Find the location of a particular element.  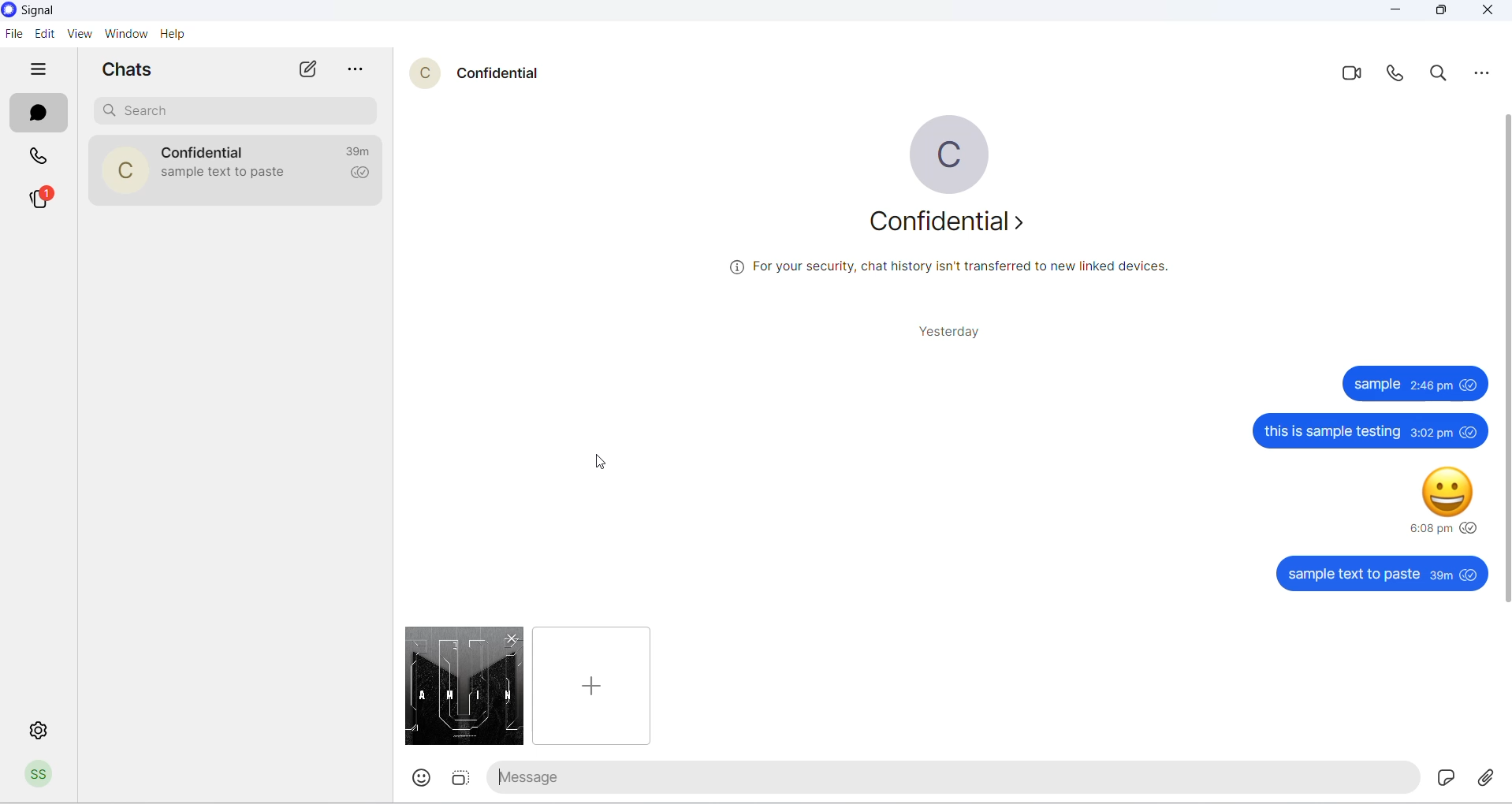

profile picture is located at coordinates (117, 171).